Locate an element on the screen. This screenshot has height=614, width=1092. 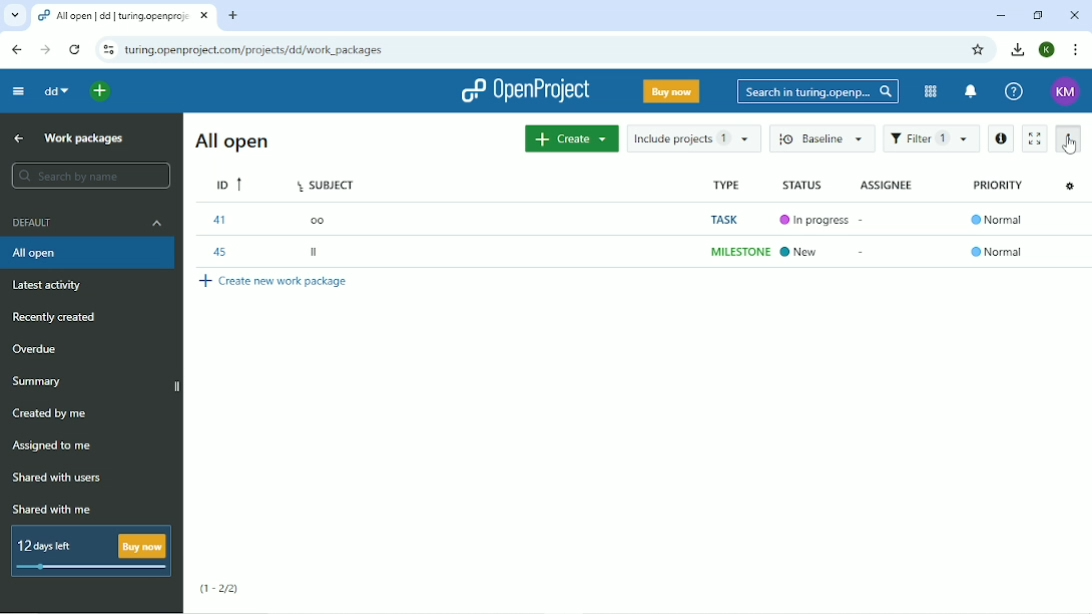
Up is located at coordinates (17, 139).